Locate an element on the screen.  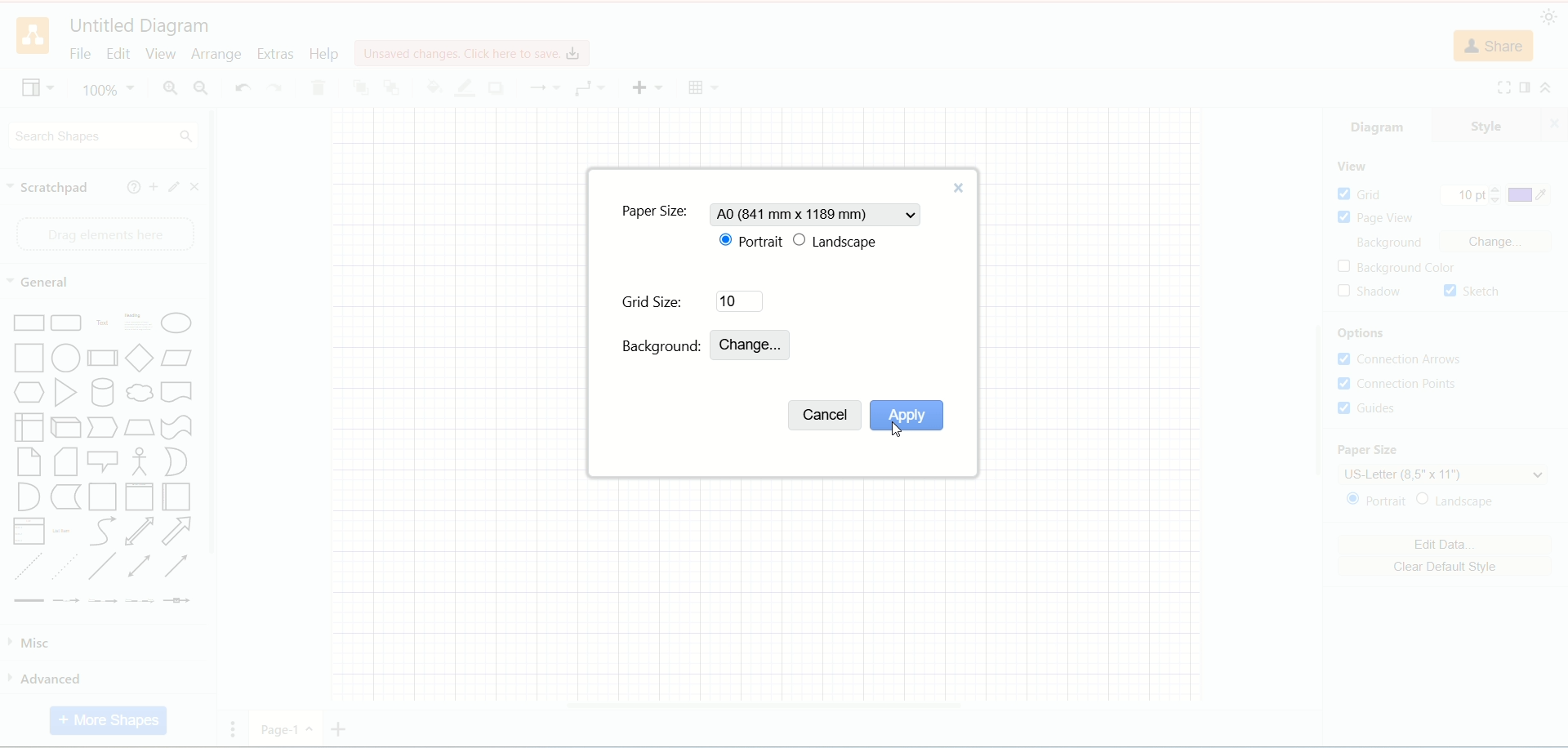
to back is located at coordinates (392, 86).